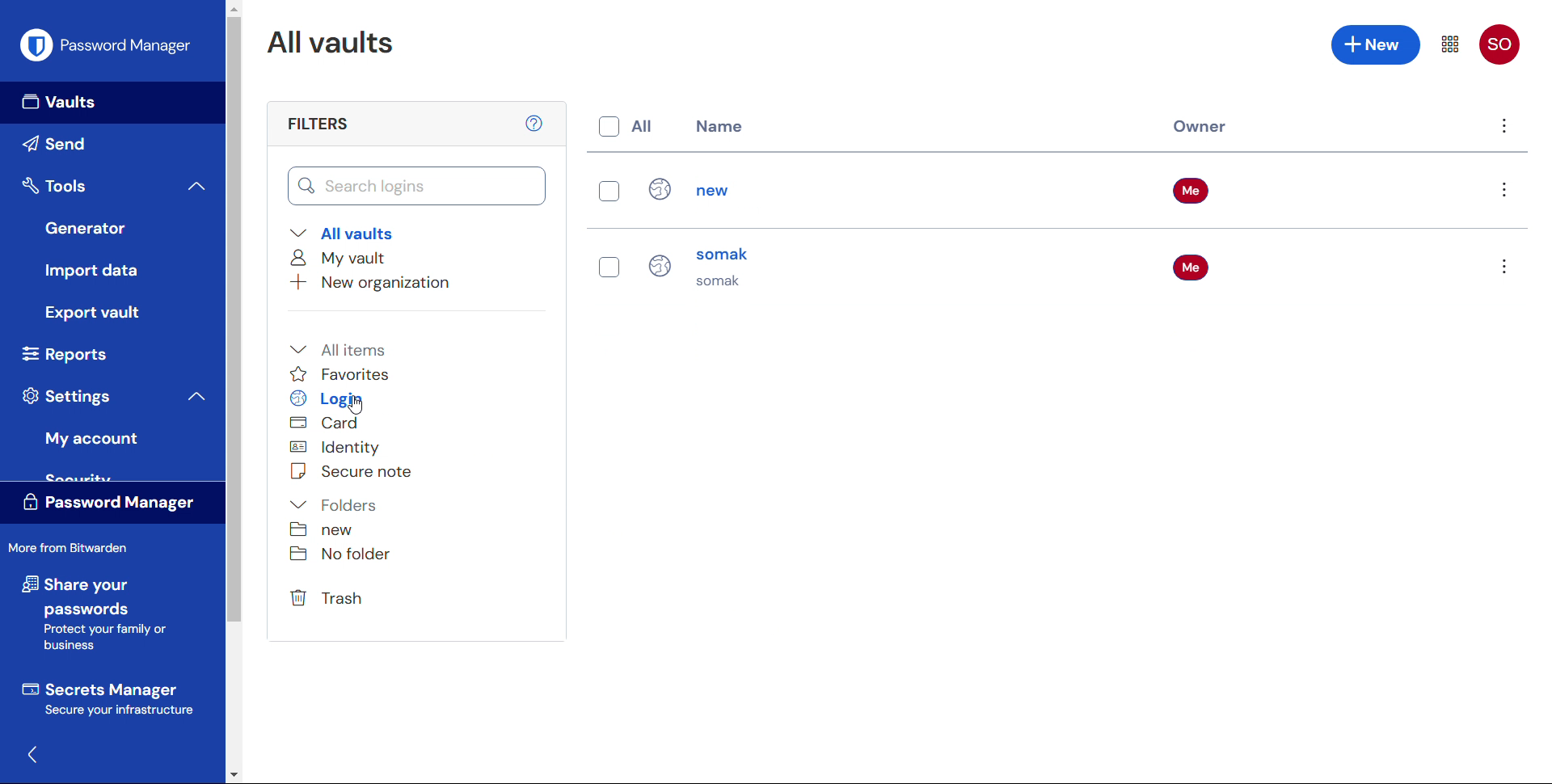 The height and width of the screenshot is (784, 1552). I want to click on new, so click(719, 191).